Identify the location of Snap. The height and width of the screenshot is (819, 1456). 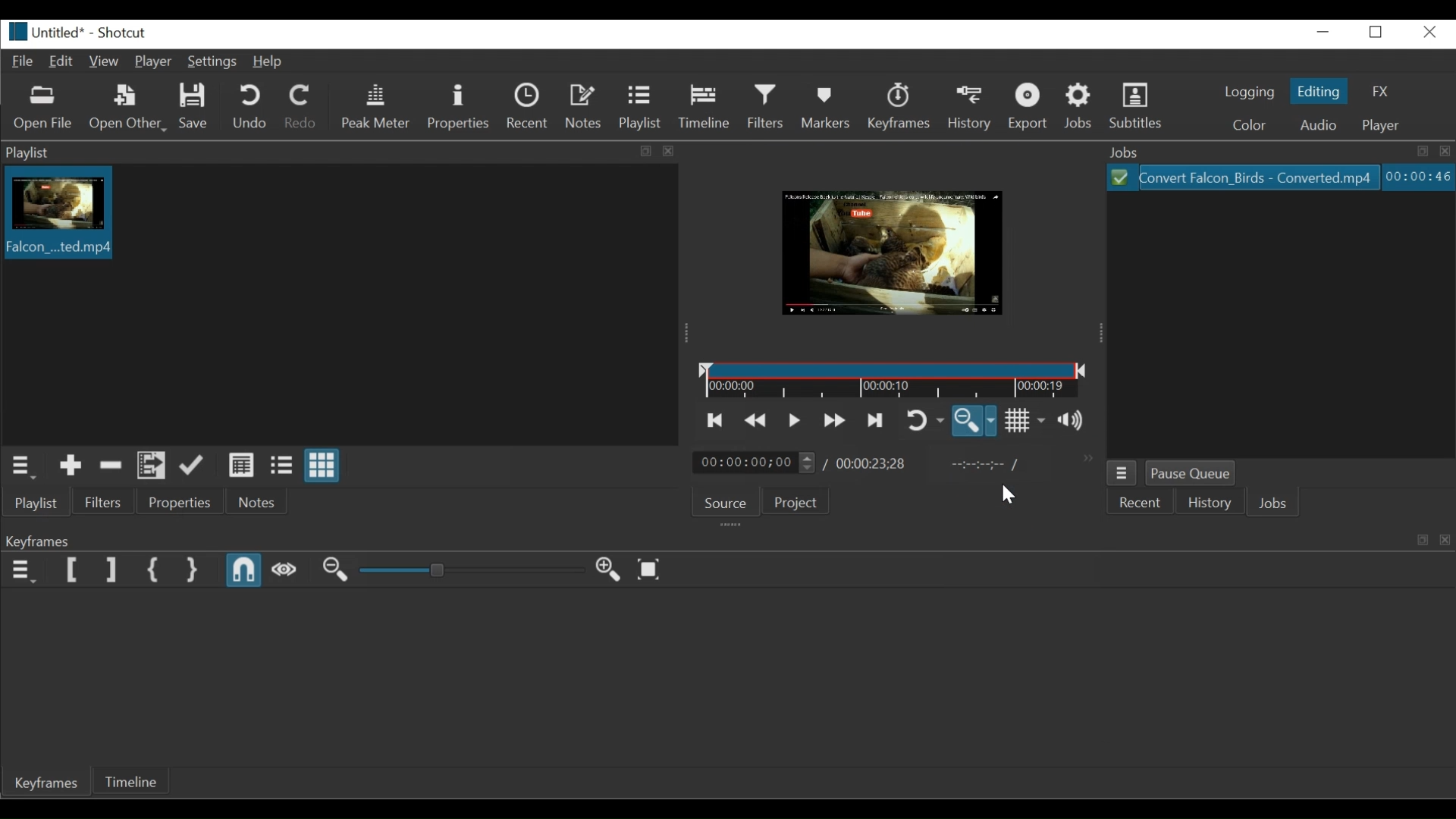
(244, 570).